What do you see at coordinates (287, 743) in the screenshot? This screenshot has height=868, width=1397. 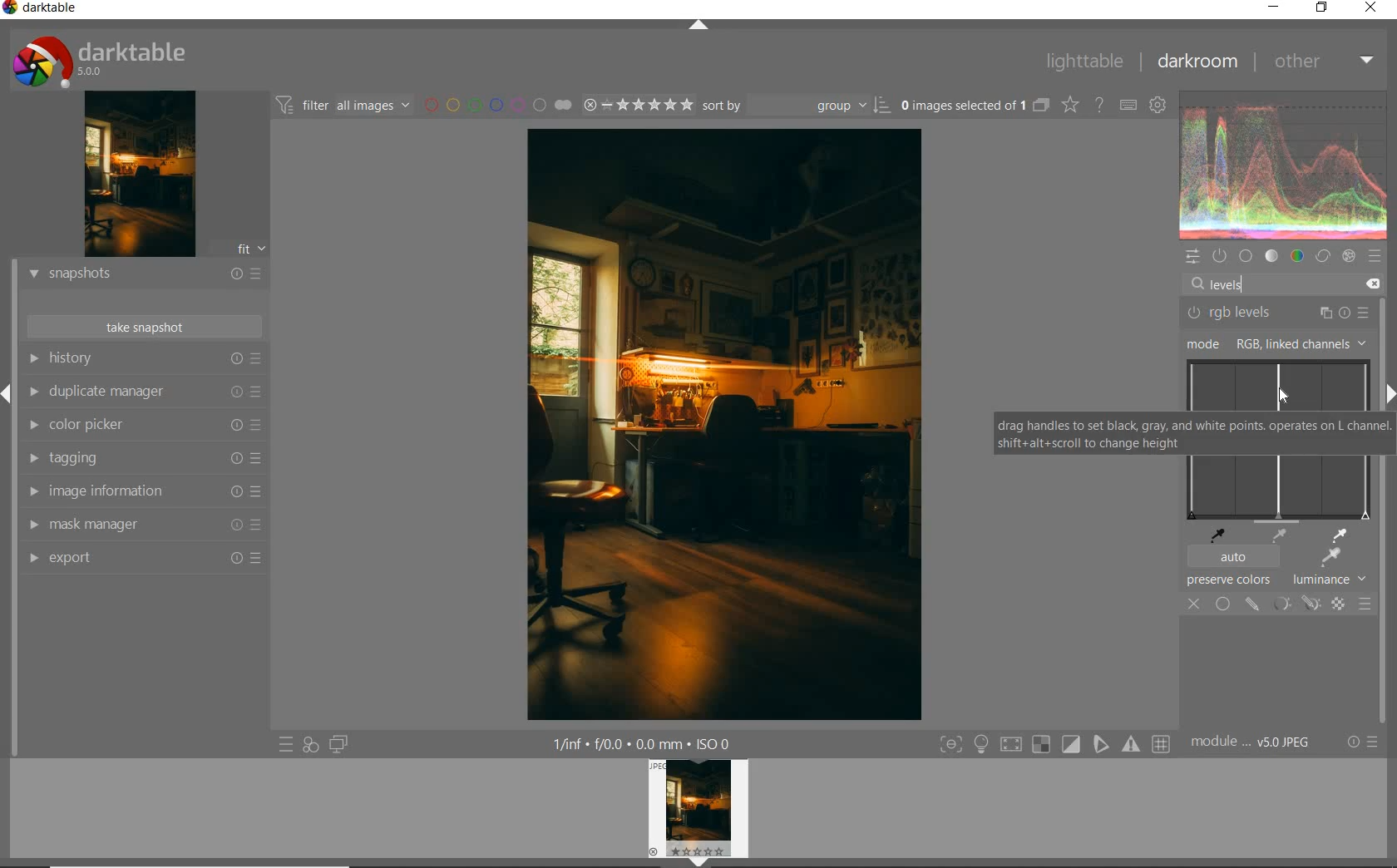 I see `quick access to presets` at bounding box center [287, 743].